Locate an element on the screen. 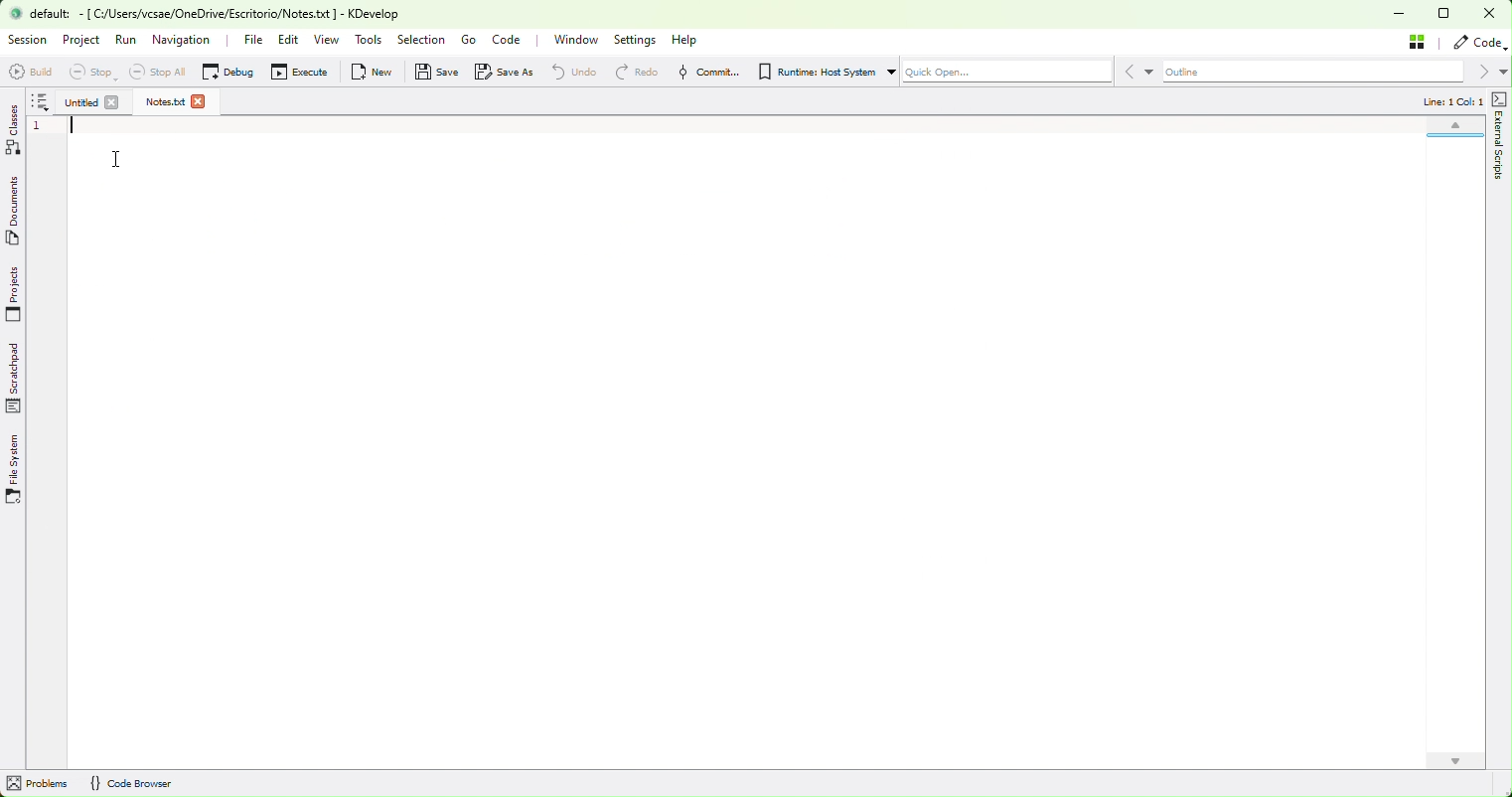 The width and height of the screenshot is (1512, 797). Runtime is located at coordinates (821, 73).